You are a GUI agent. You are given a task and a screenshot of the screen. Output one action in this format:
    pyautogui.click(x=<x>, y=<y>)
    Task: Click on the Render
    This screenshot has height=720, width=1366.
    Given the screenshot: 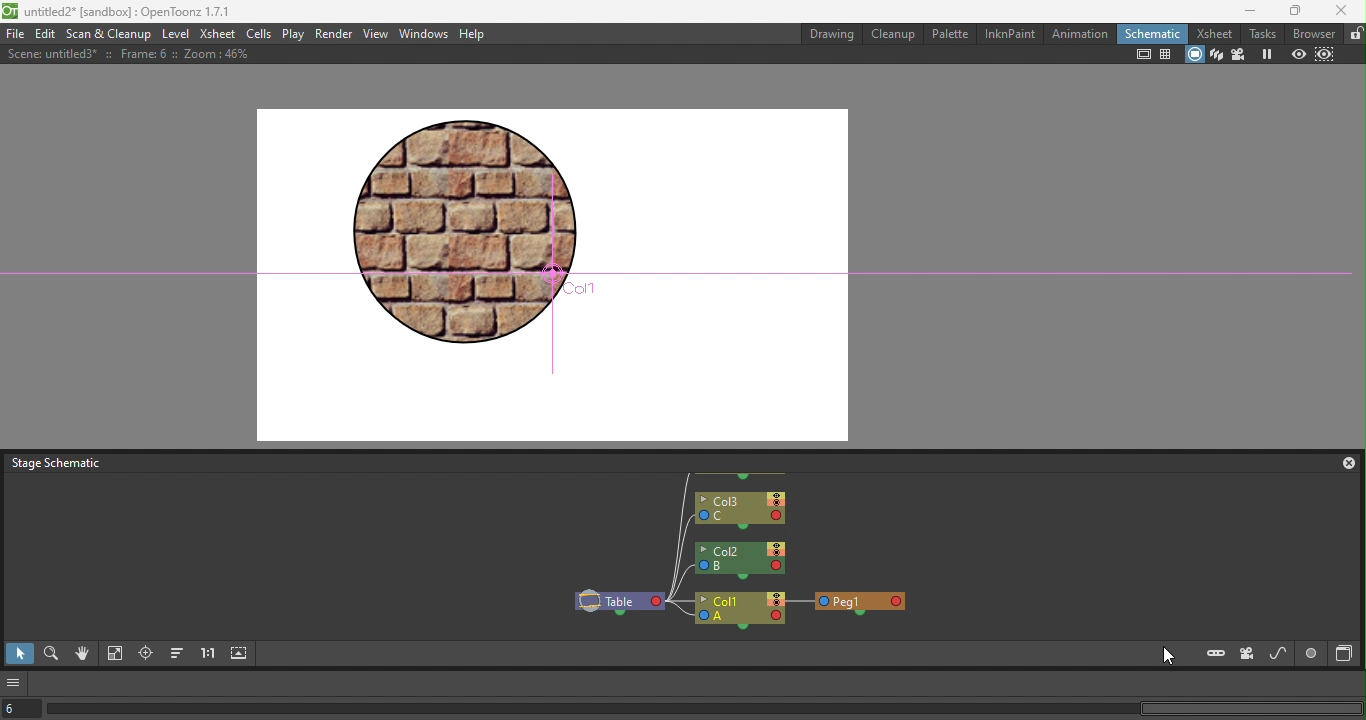 What is the action you would take?
    pyautogui.click(x=335, y=34)
    